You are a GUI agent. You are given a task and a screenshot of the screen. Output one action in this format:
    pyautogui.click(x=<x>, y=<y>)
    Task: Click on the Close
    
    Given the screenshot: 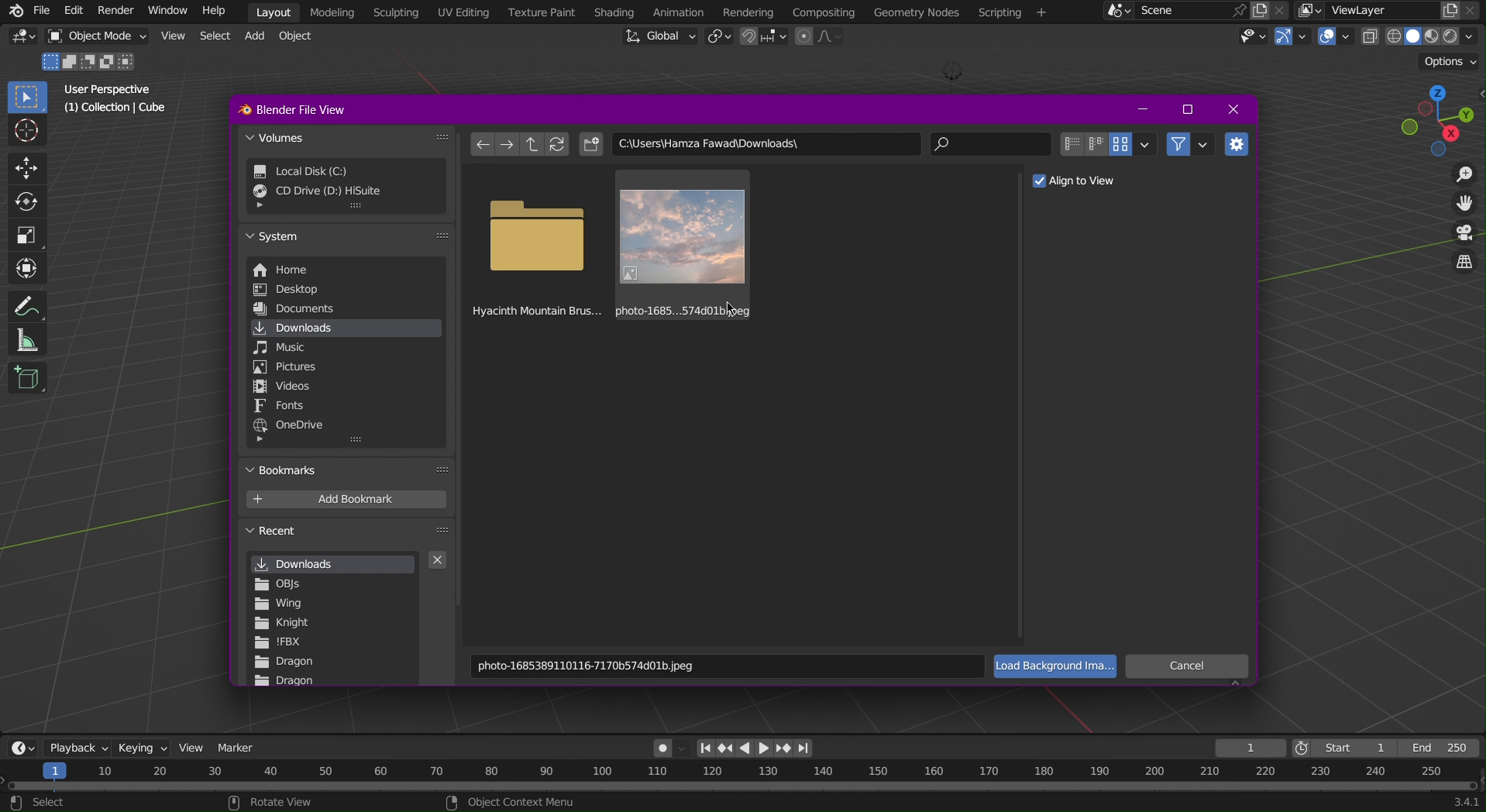 What is the action you would take?
    pyautogui.click(x=1237, y=109)
    